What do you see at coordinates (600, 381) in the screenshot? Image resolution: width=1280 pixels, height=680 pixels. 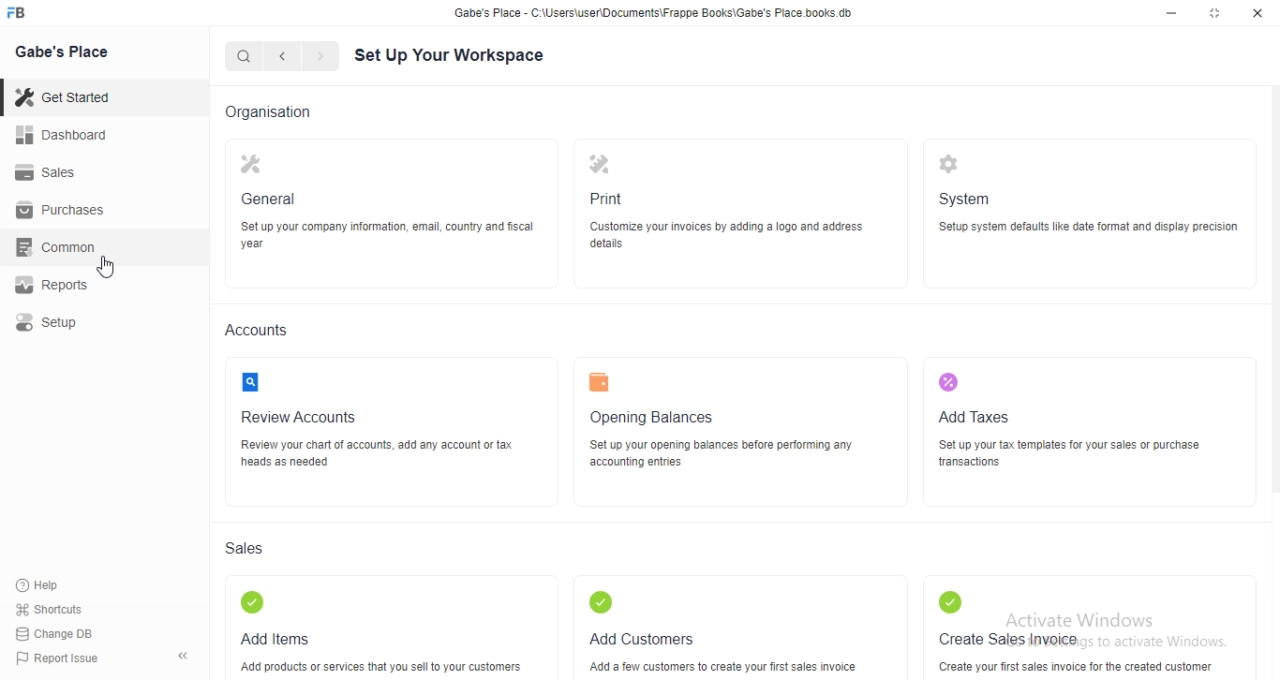 I see `icon` at bounding box center [600, 381].